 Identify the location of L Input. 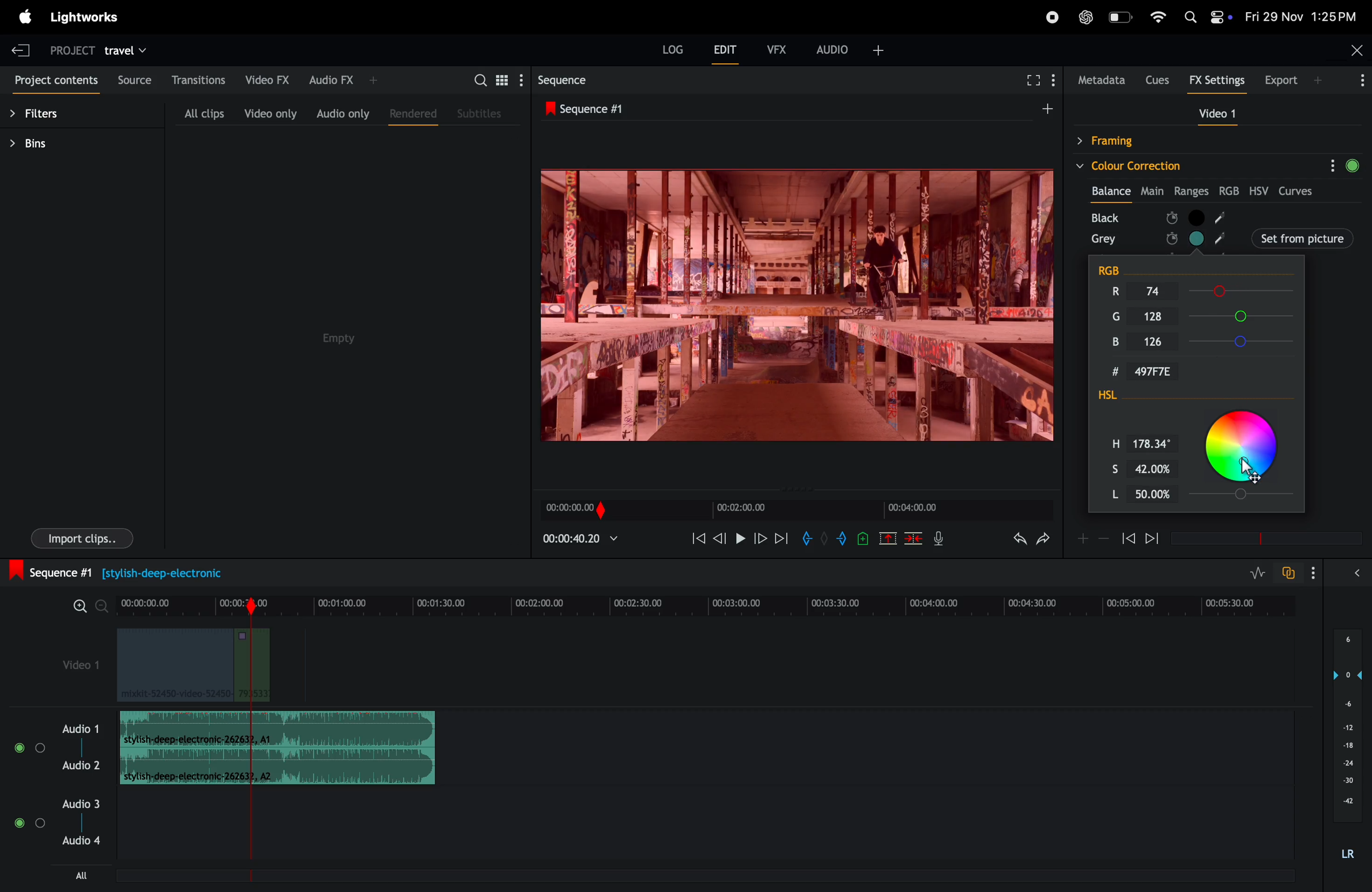
(1155, 495).